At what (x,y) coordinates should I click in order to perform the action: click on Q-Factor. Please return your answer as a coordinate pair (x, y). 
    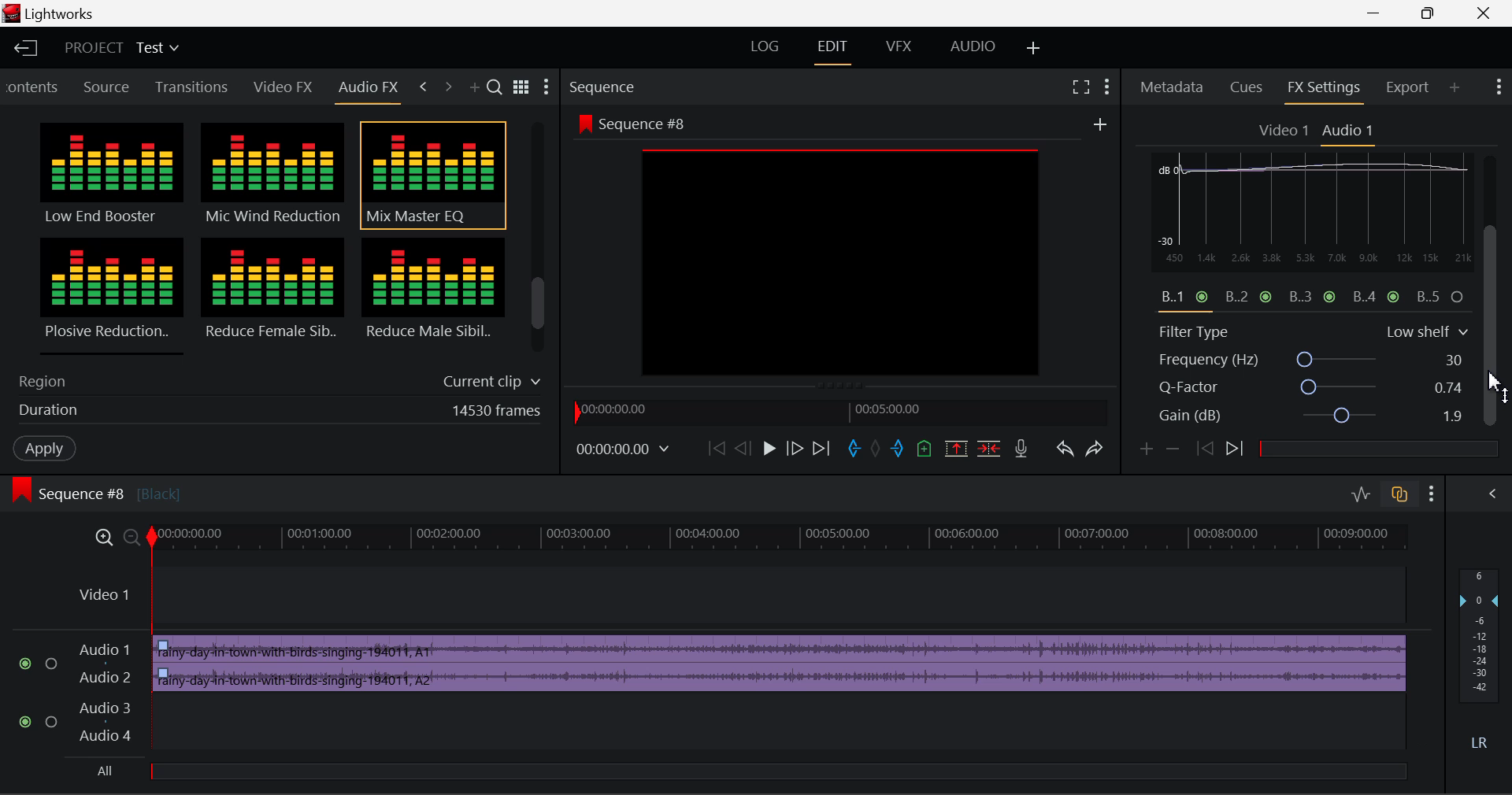
    Looking at the image, I should click on (1314, 388).